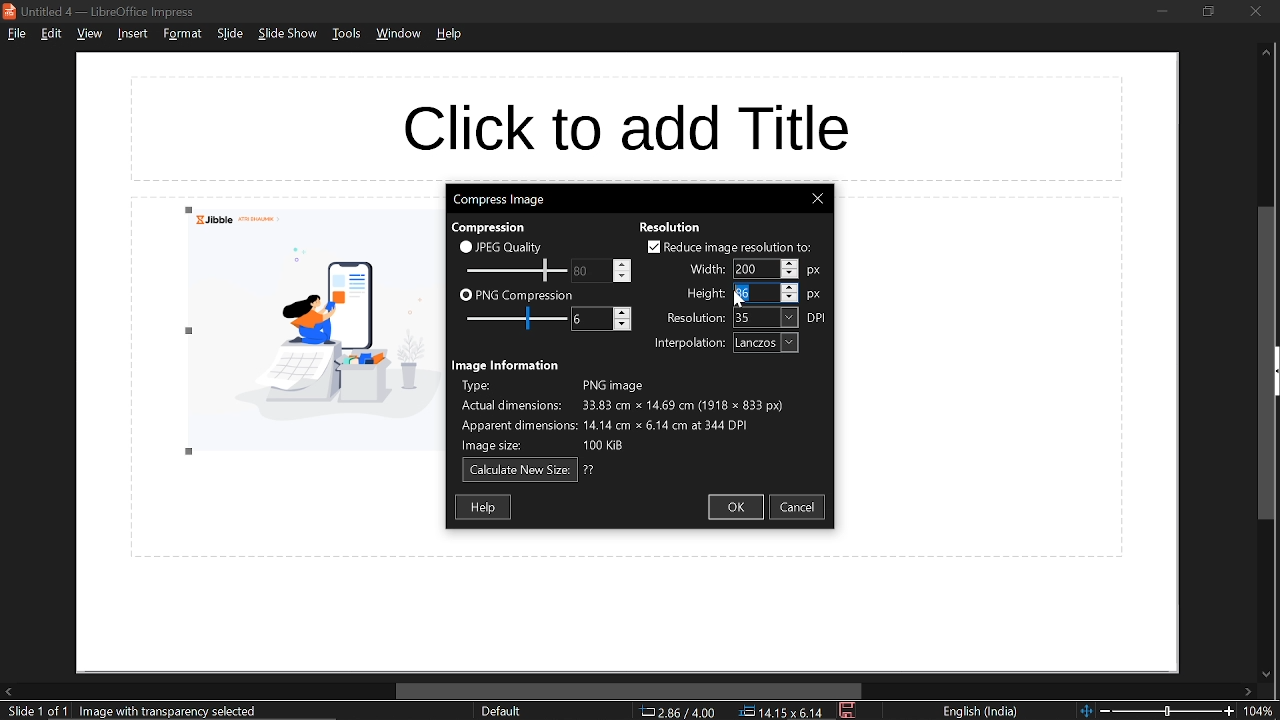 The image size is (1280, 720). What do you see at coordinates (817, 199) in the screenshot?
I see `Close` at bounding box center [817, 199].